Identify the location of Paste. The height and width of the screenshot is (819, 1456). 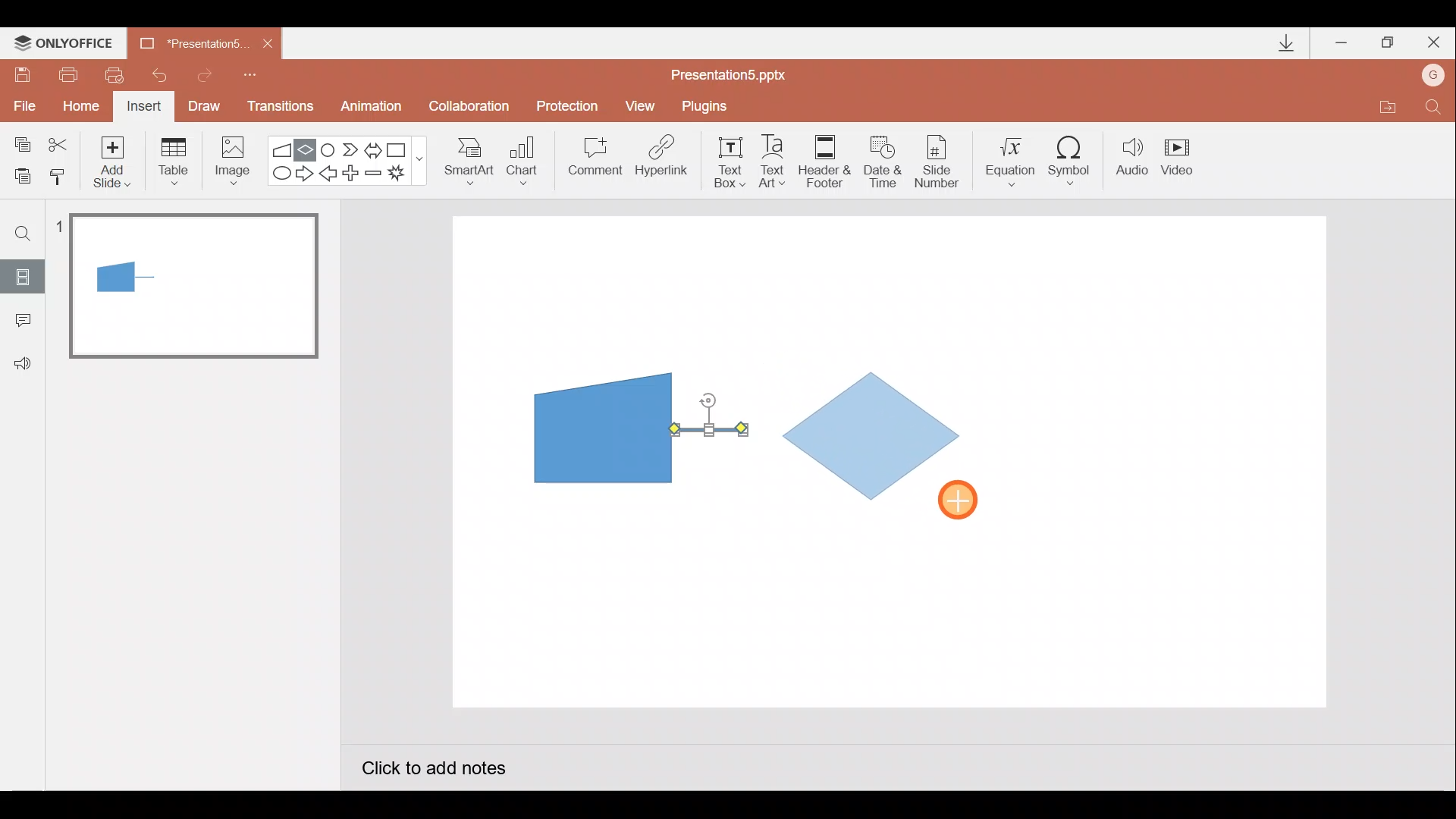
(18, 174).